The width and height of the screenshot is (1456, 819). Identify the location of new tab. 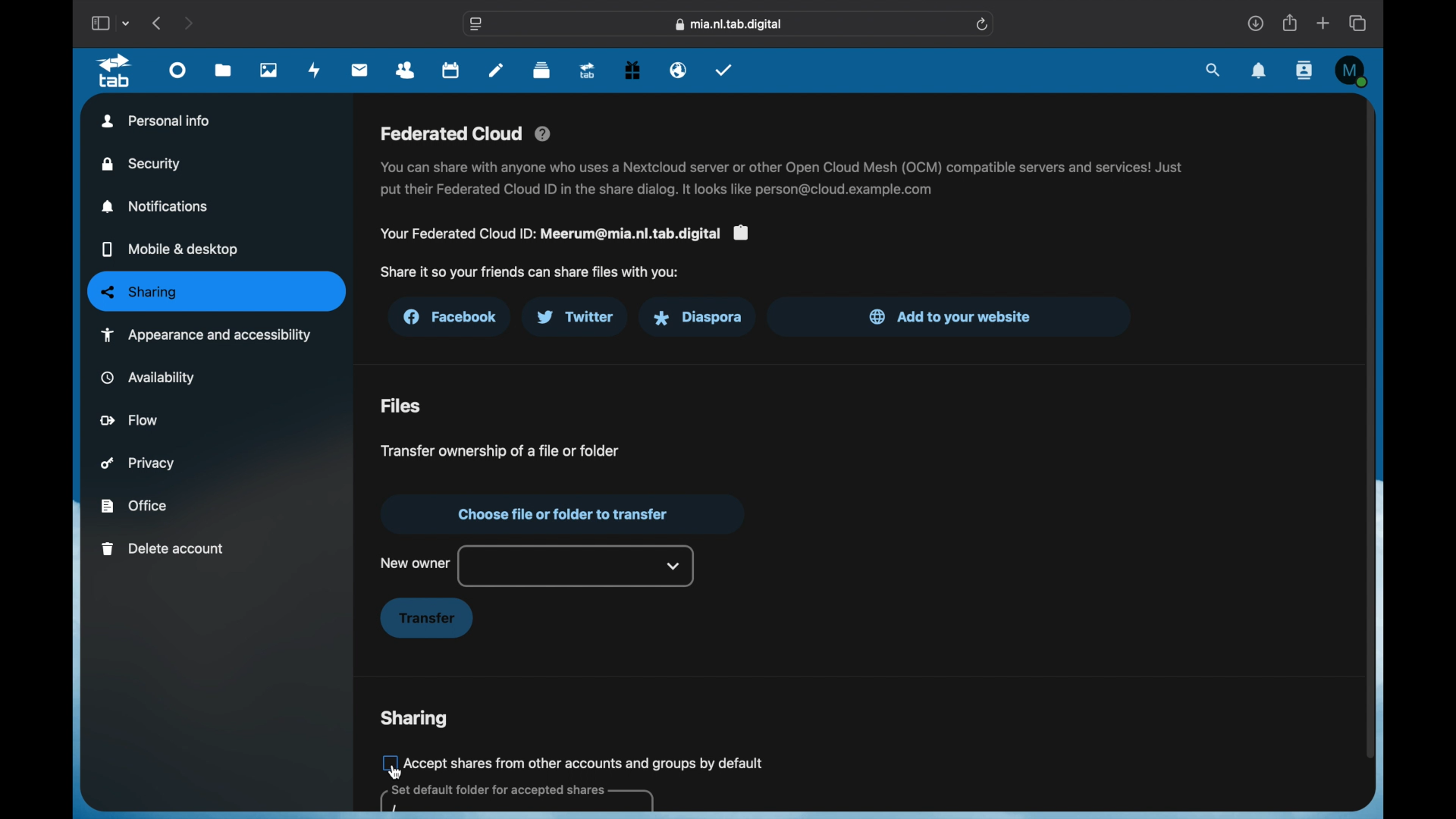
(1324, 23).